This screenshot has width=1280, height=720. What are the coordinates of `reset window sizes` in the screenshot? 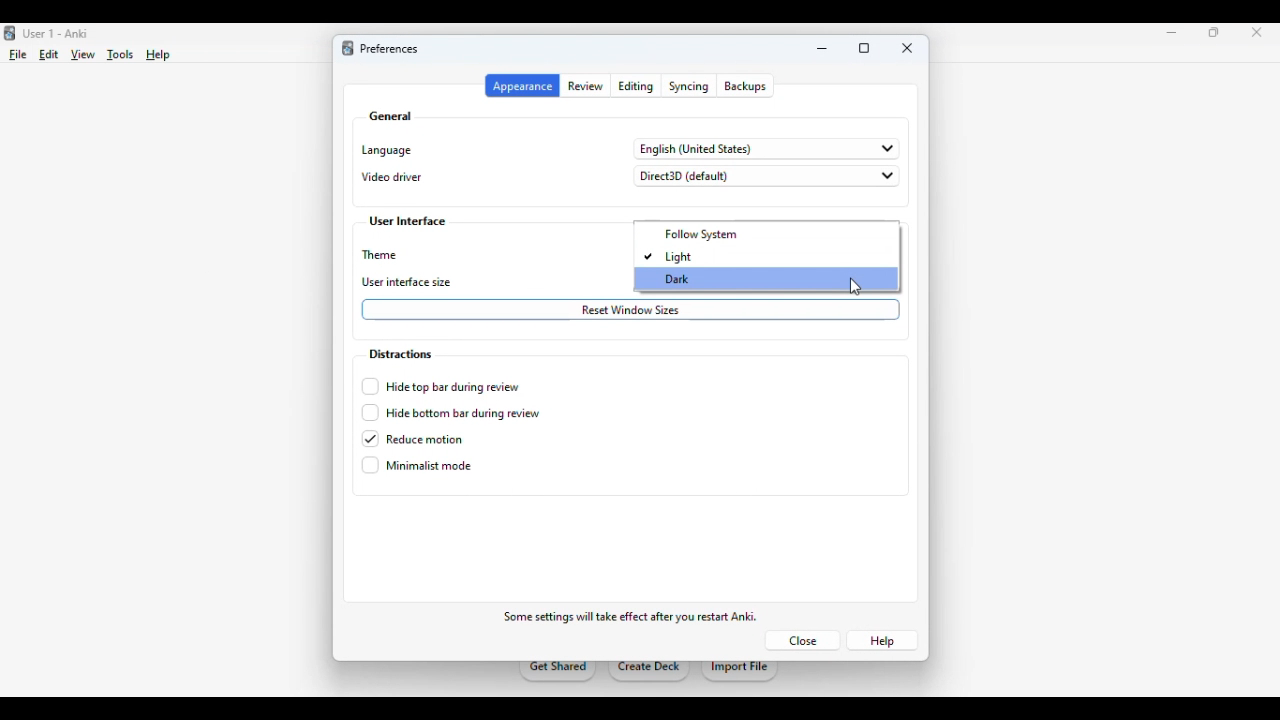 It's located at (631, 310).